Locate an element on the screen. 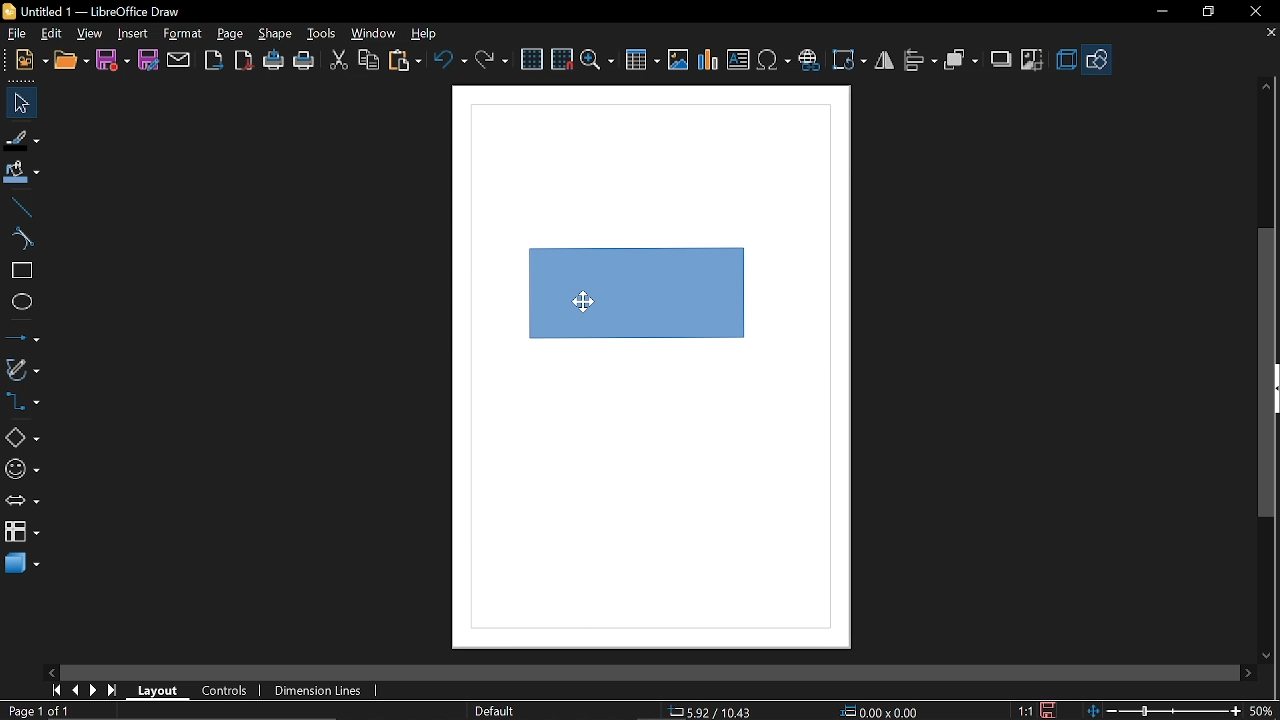 This screenshot has width=1280, height=720. vertical scrollbar is located at coordinates (1267, 374).